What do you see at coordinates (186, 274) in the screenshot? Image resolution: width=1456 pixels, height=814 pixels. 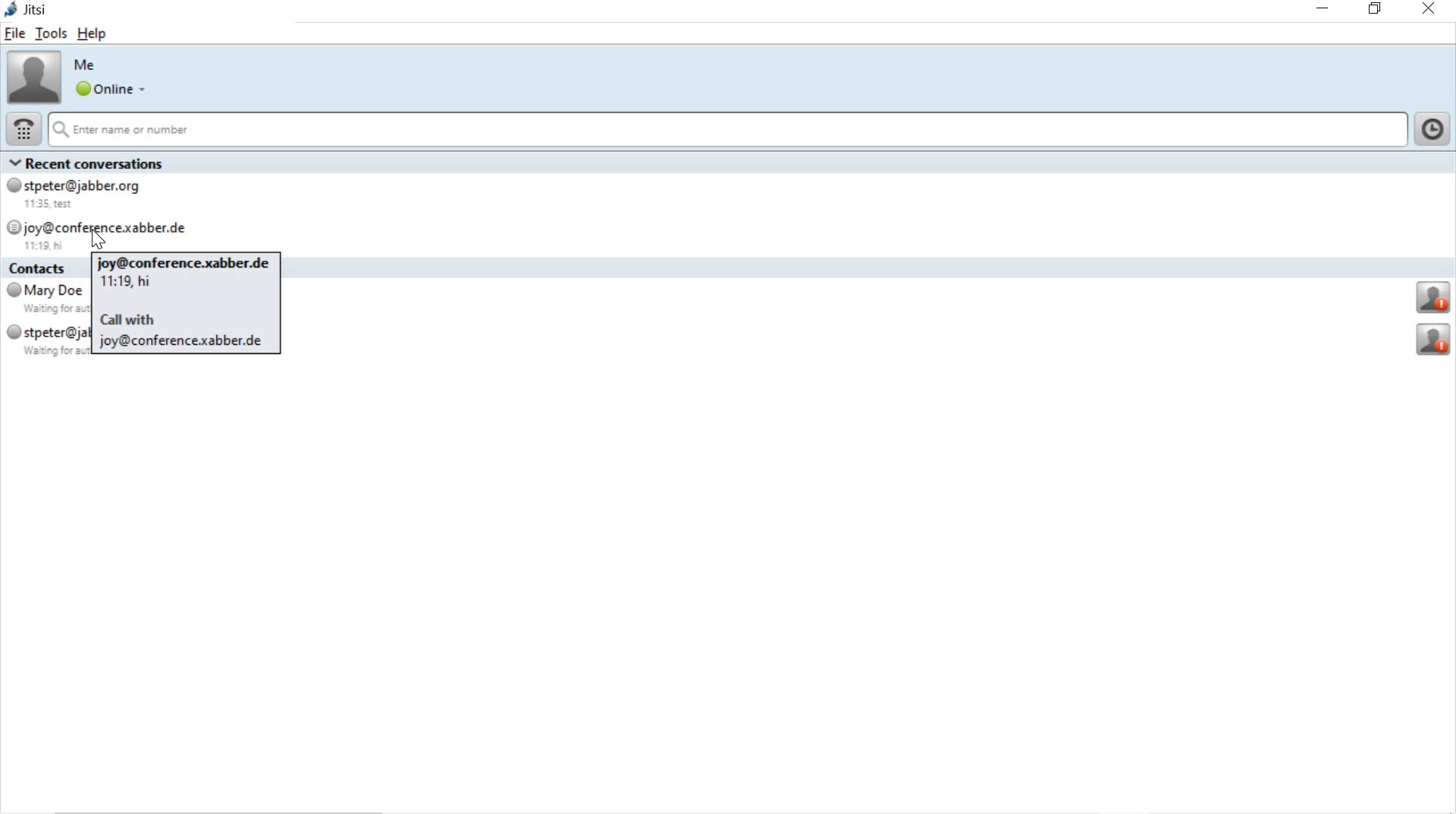 I see `joy@conference.xabber.de11:19, hi` at bounding box center [186, 274].